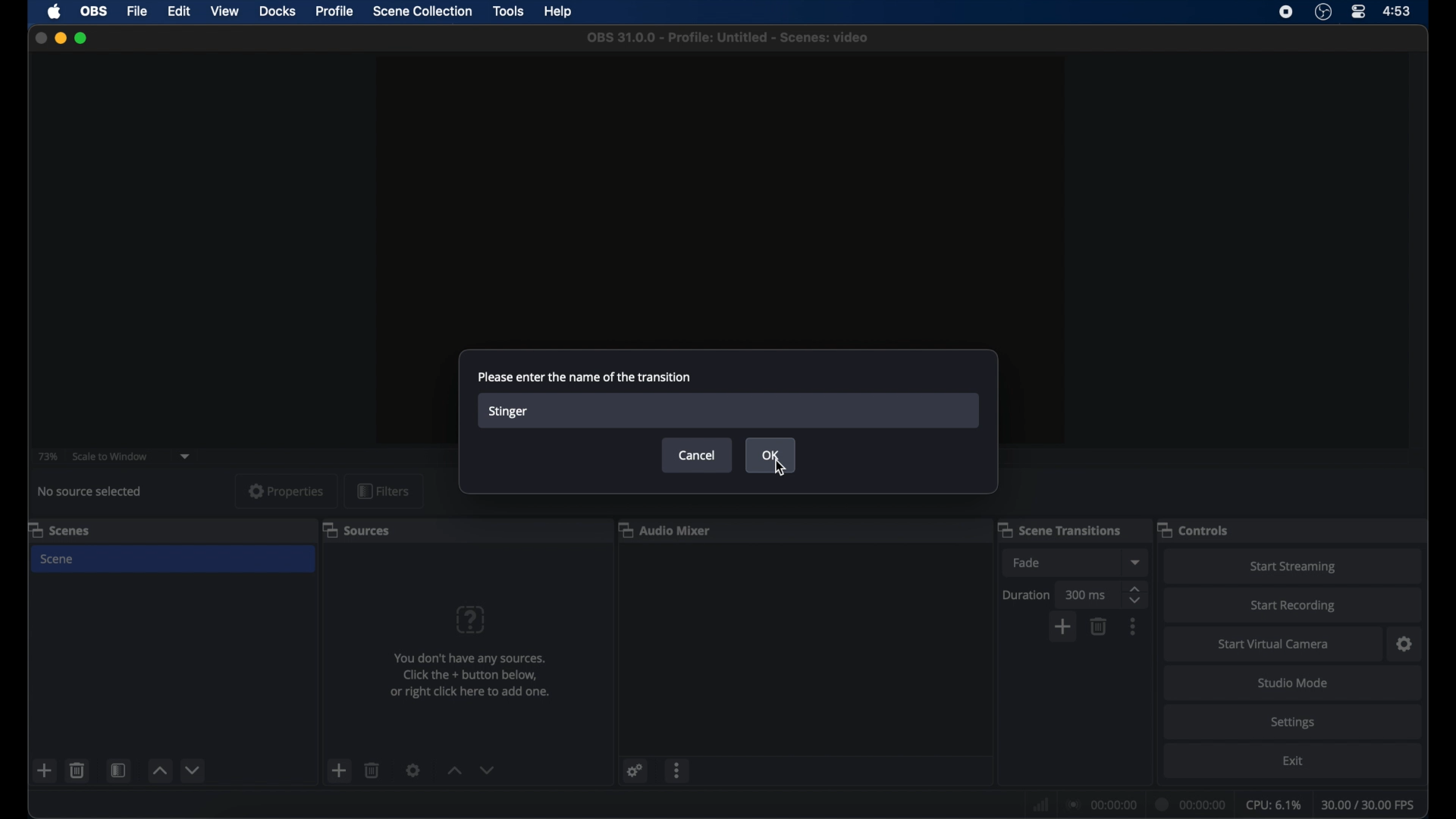  Describe the element at coordinates (1292, 682) in the screenshot. I see `studio mode` at that location.